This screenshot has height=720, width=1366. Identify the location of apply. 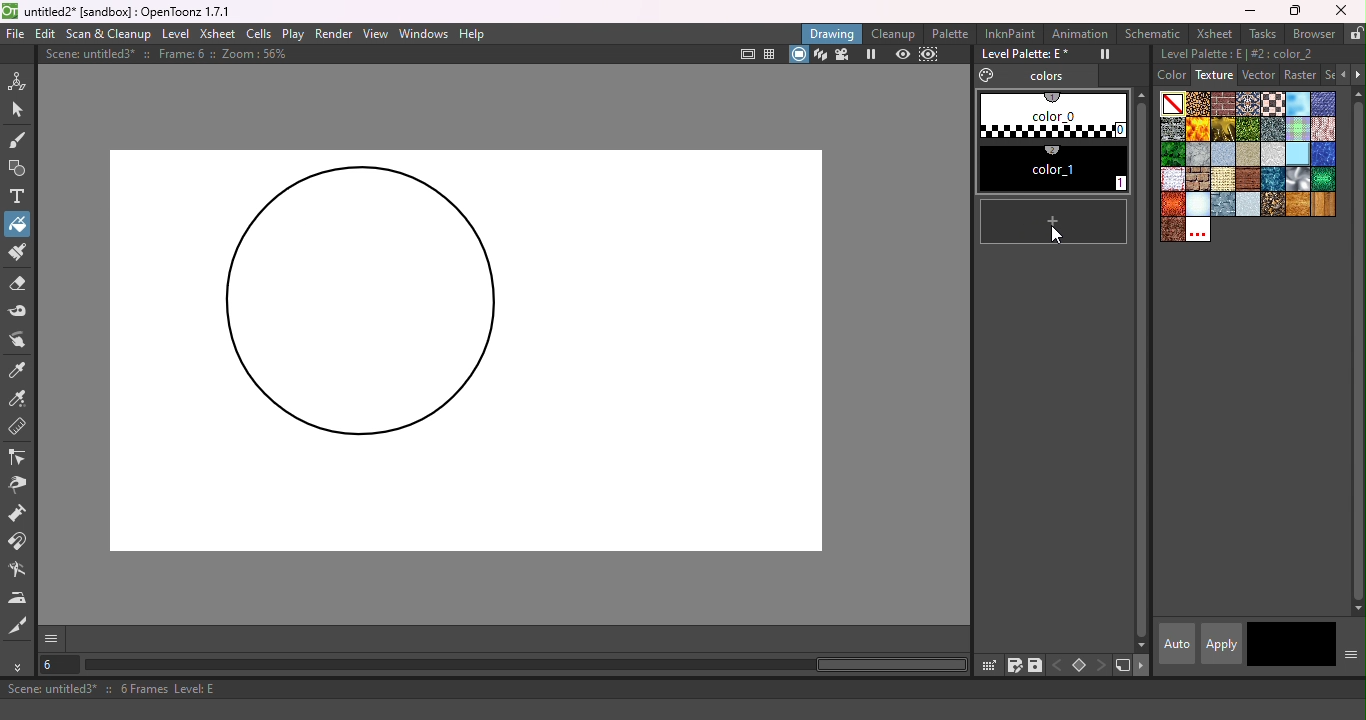
(1221, 644).